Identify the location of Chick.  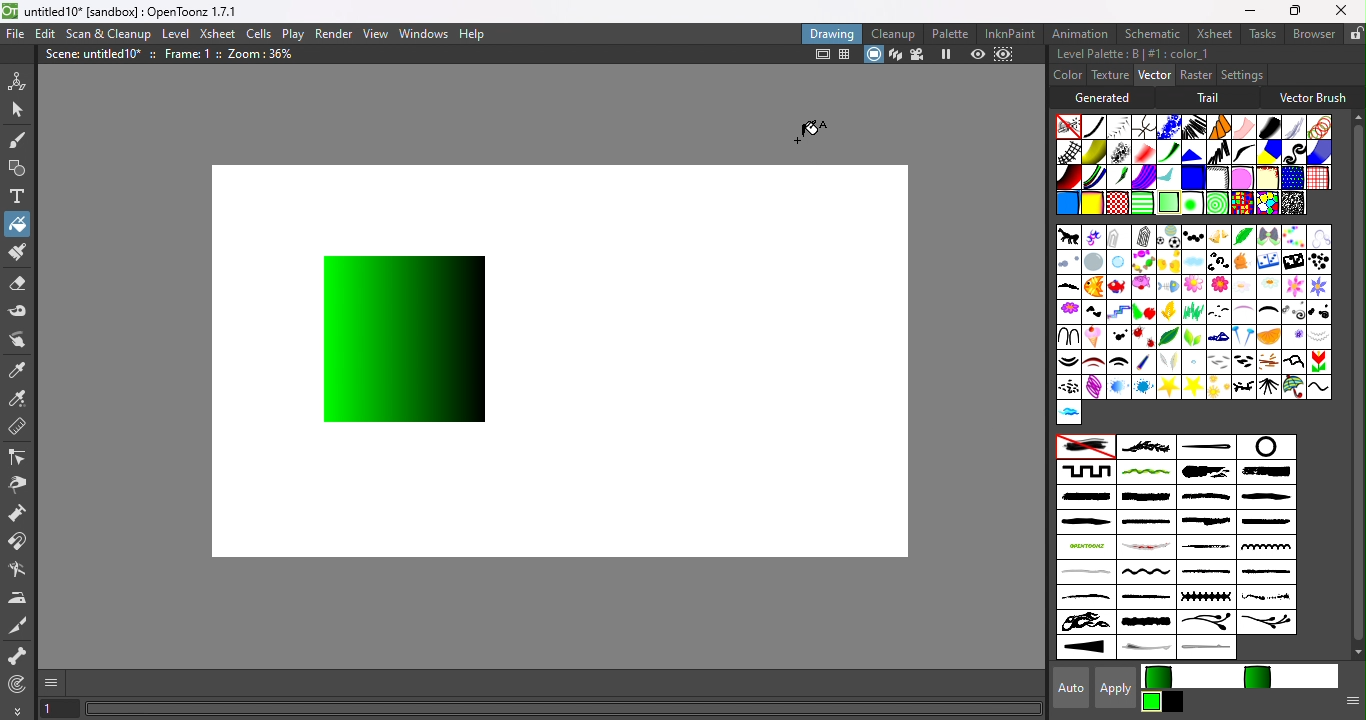
(1167, 261).